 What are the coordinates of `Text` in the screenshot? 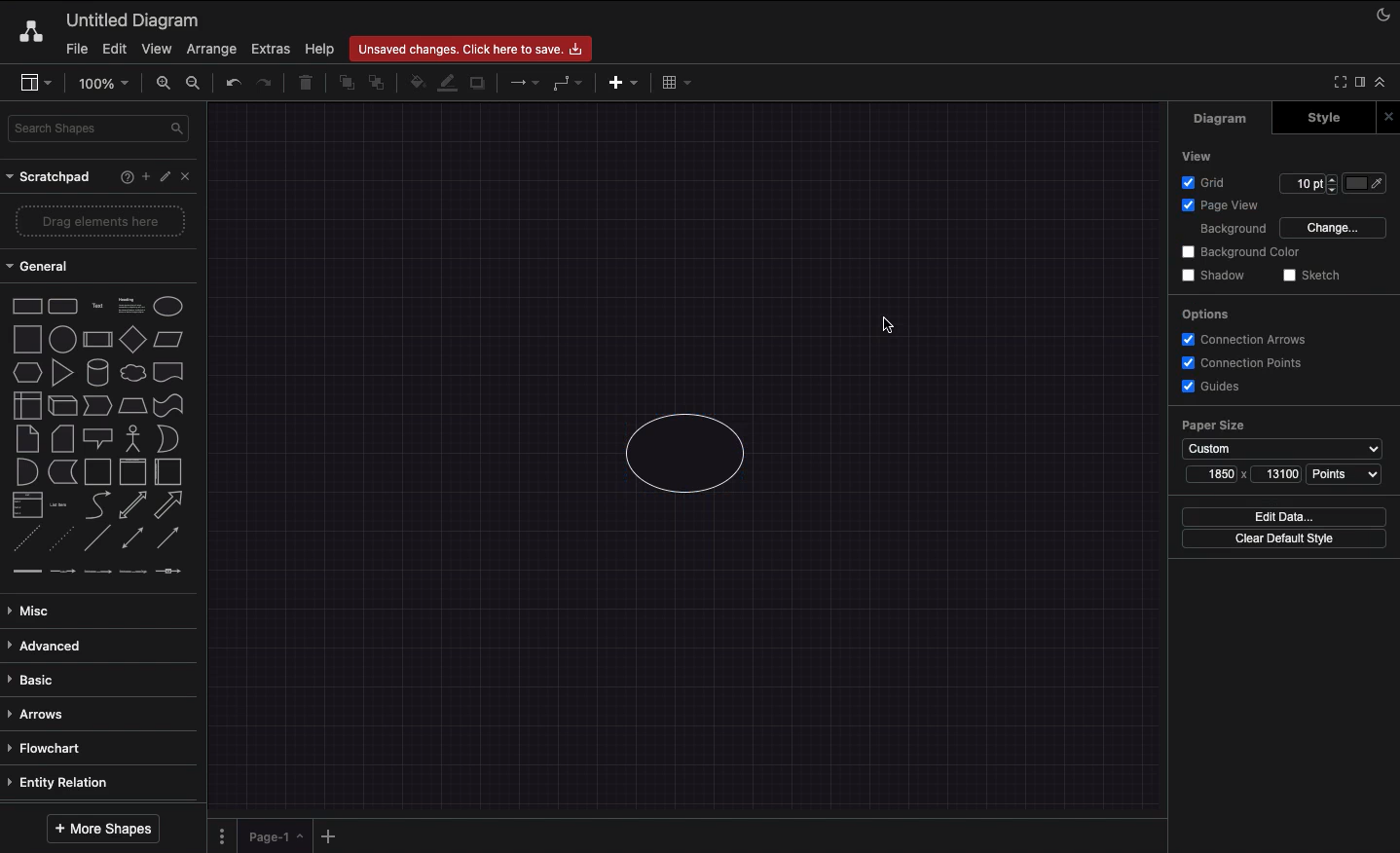 It's located at (97, 307).